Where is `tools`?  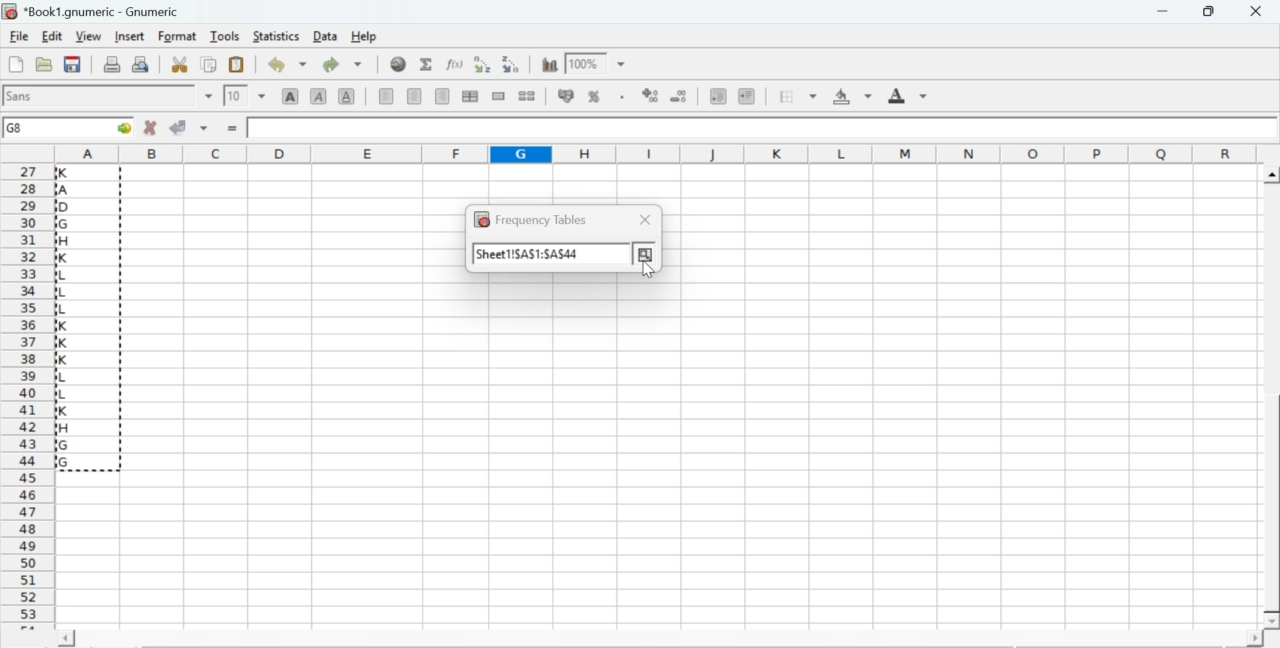 tools is located at coordinates (226, 35).